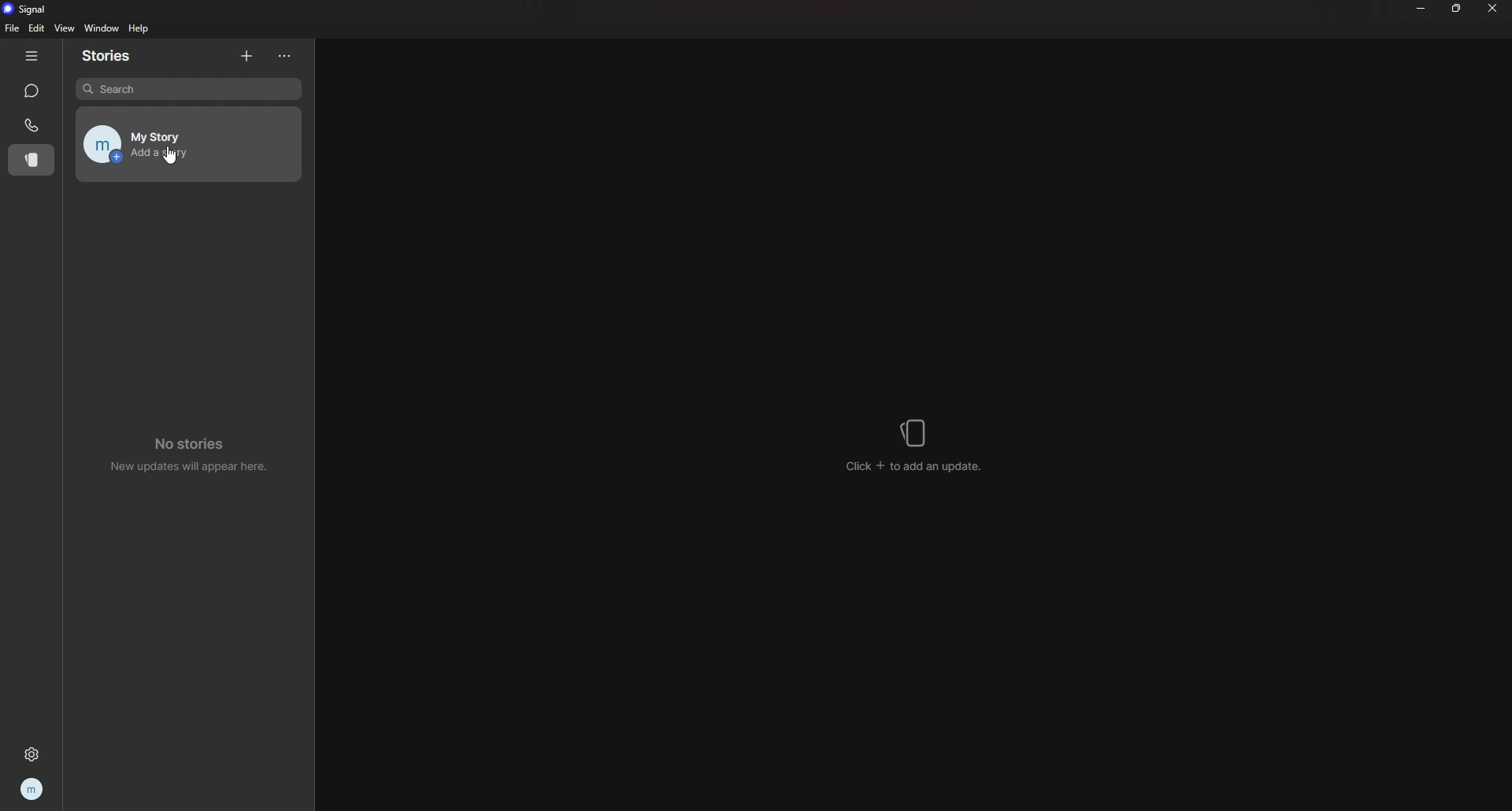 The width and height of the screenshot is (1512, 811). Describe the element at coordinates (34, 751) in the screenshot. I see `settings` at that location.